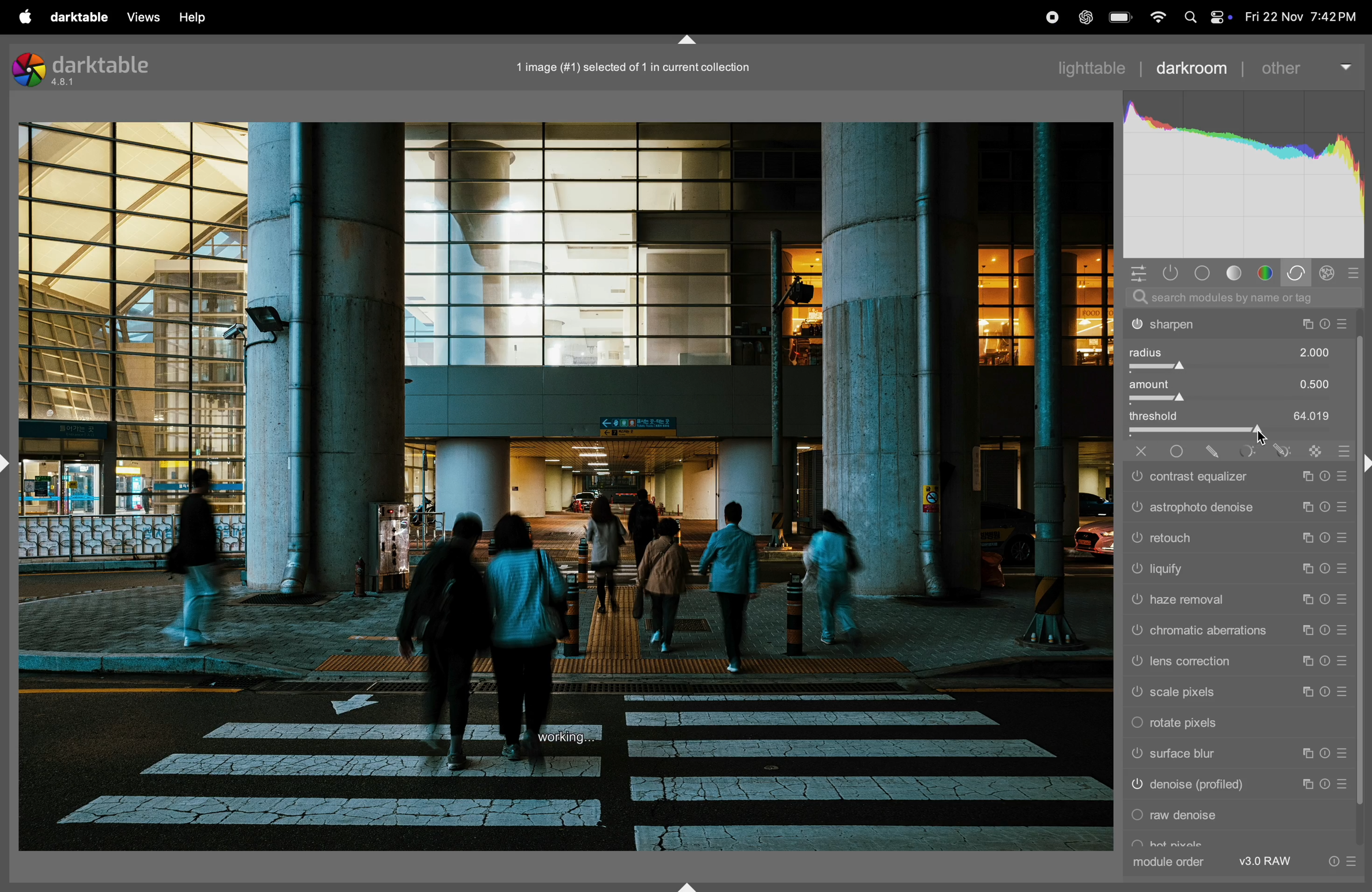 This screenshot has height=892, width=1372. I want to click on shift+ctrl+b, so click(691, 885).